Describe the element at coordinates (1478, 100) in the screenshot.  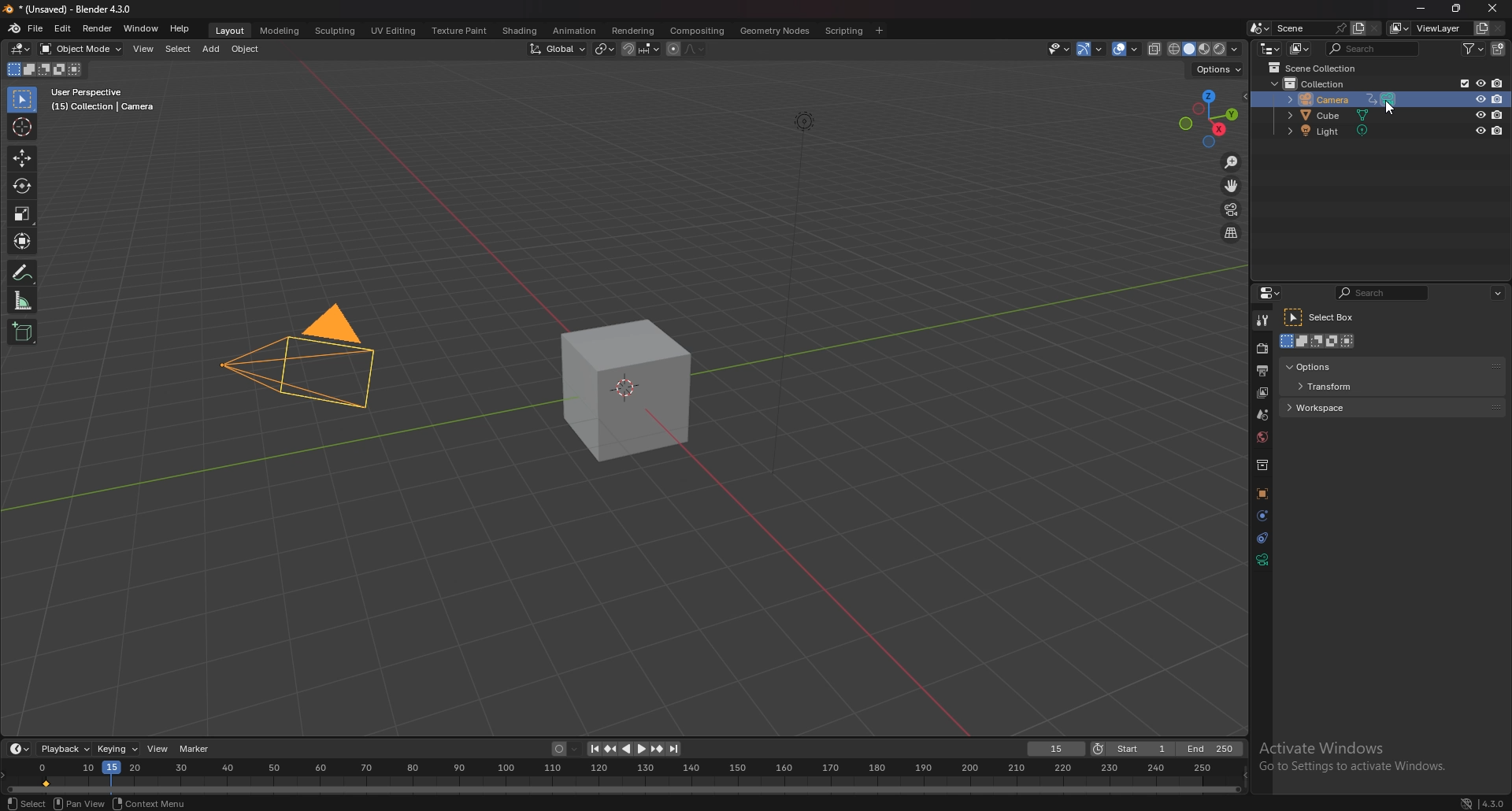
I see `hide in viewport` at that location.